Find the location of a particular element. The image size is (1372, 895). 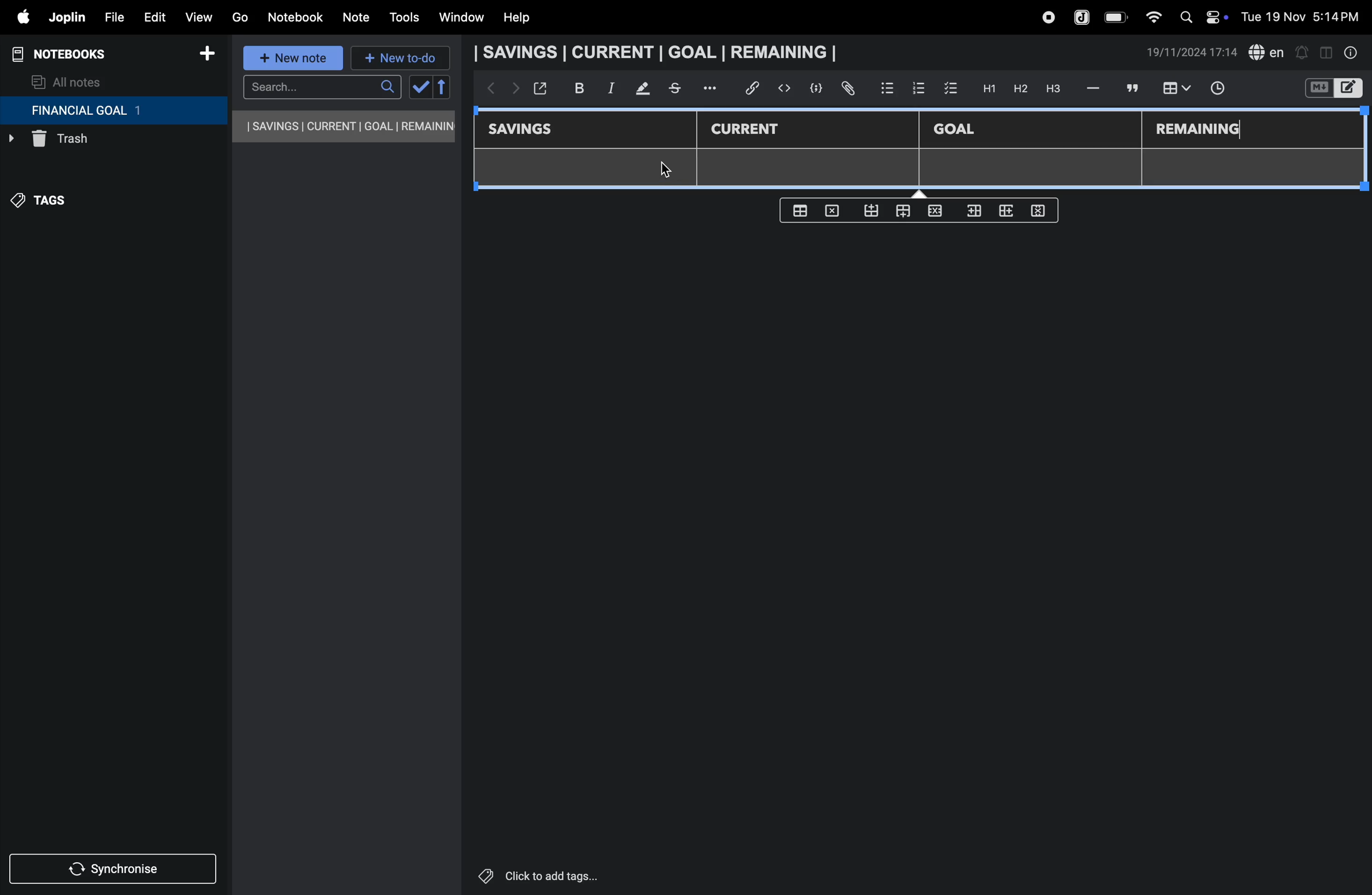

forward is located at coordinates (512, 91).